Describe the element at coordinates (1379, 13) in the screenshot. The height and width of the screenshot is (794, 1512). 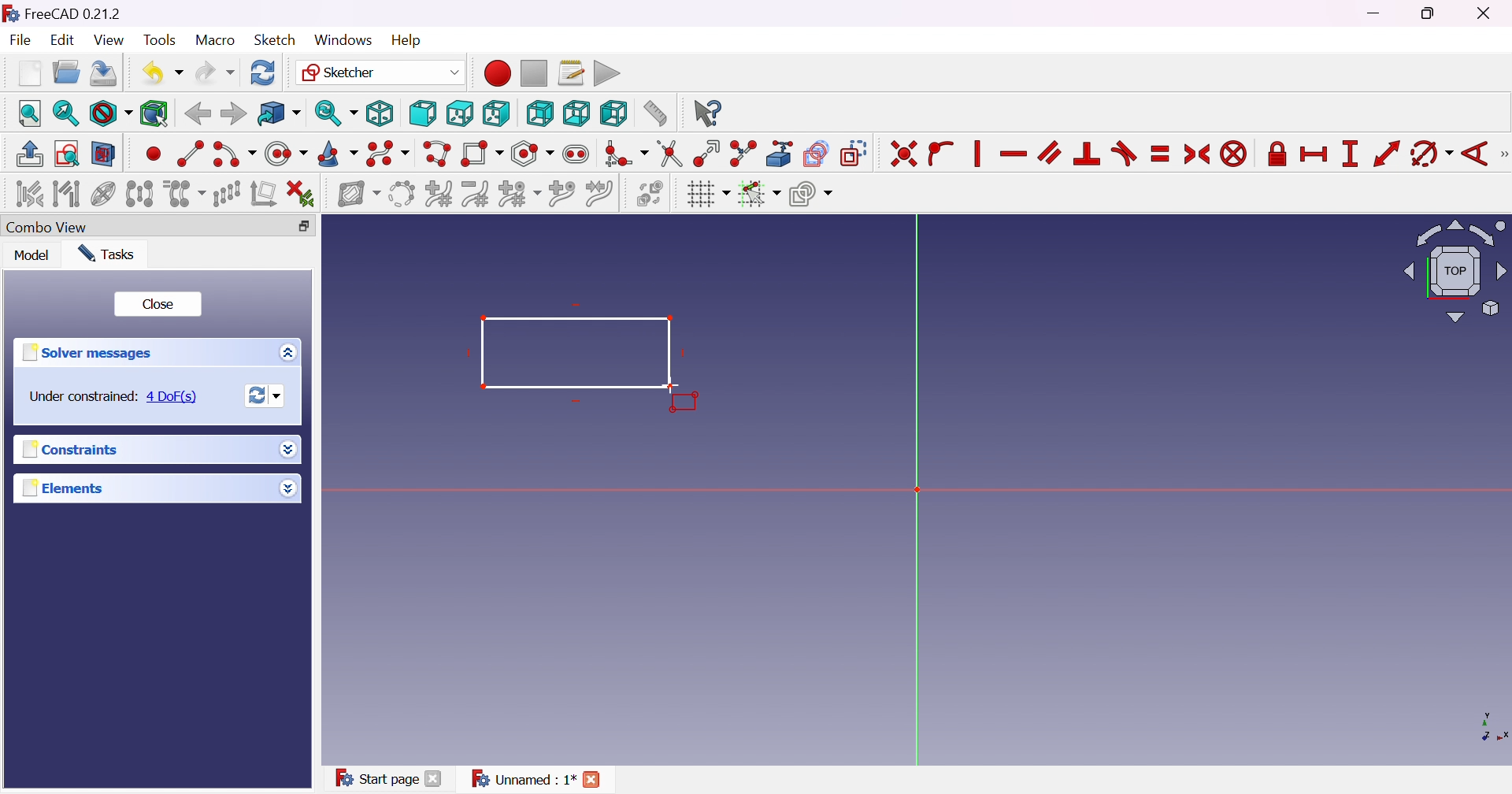
I see `Minimize` at that location.